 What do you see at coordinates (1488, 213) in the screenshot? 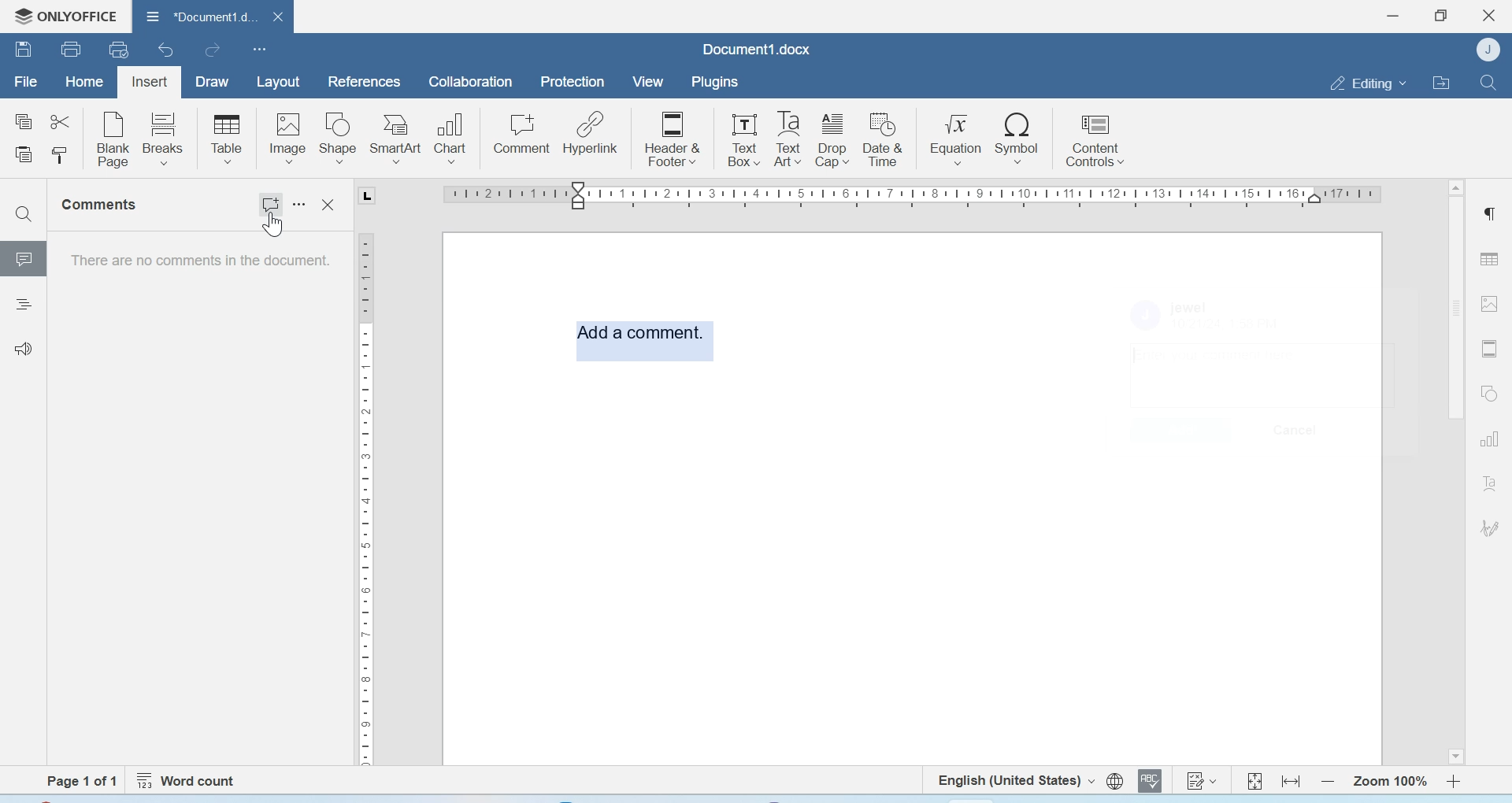
I see `Paragraph settings` at bounding box center [1488, 213].